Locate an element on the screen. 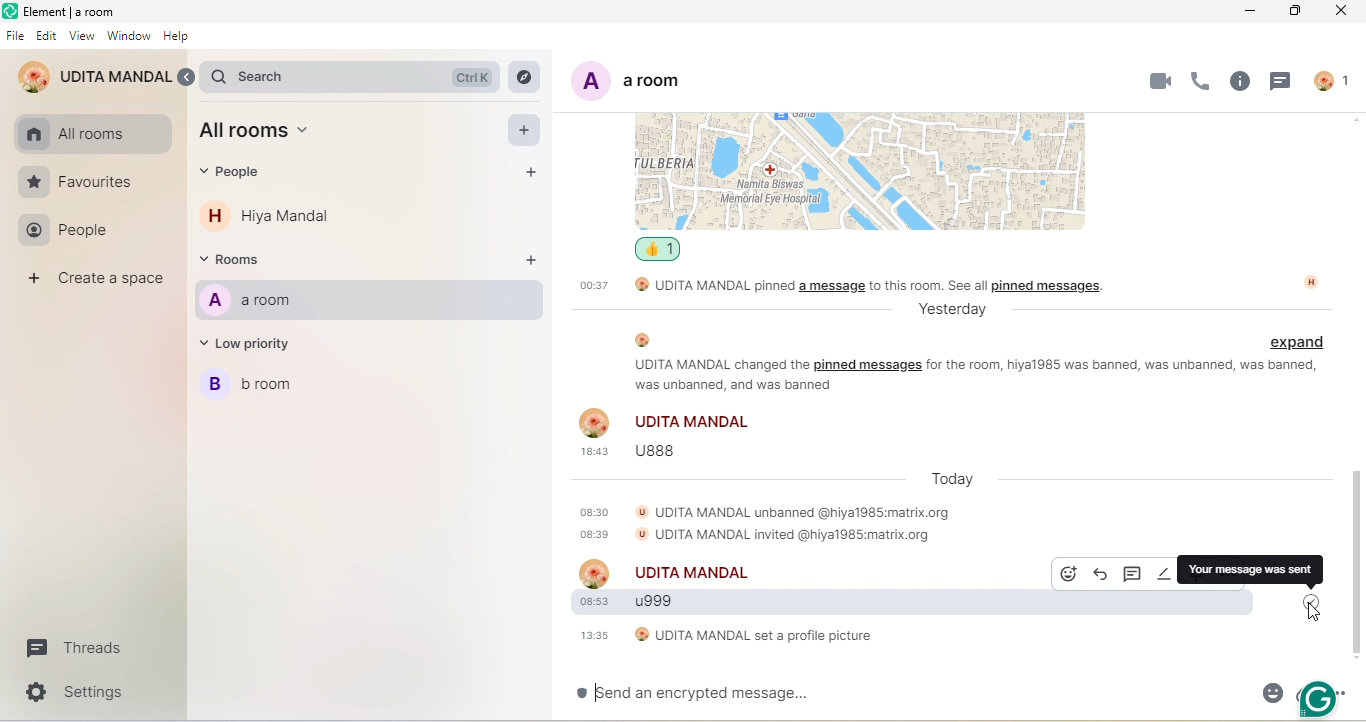 Image resolution: width=1366 pixels, height=722 pixels. Chat Information is located at coordinates (1240, 80).